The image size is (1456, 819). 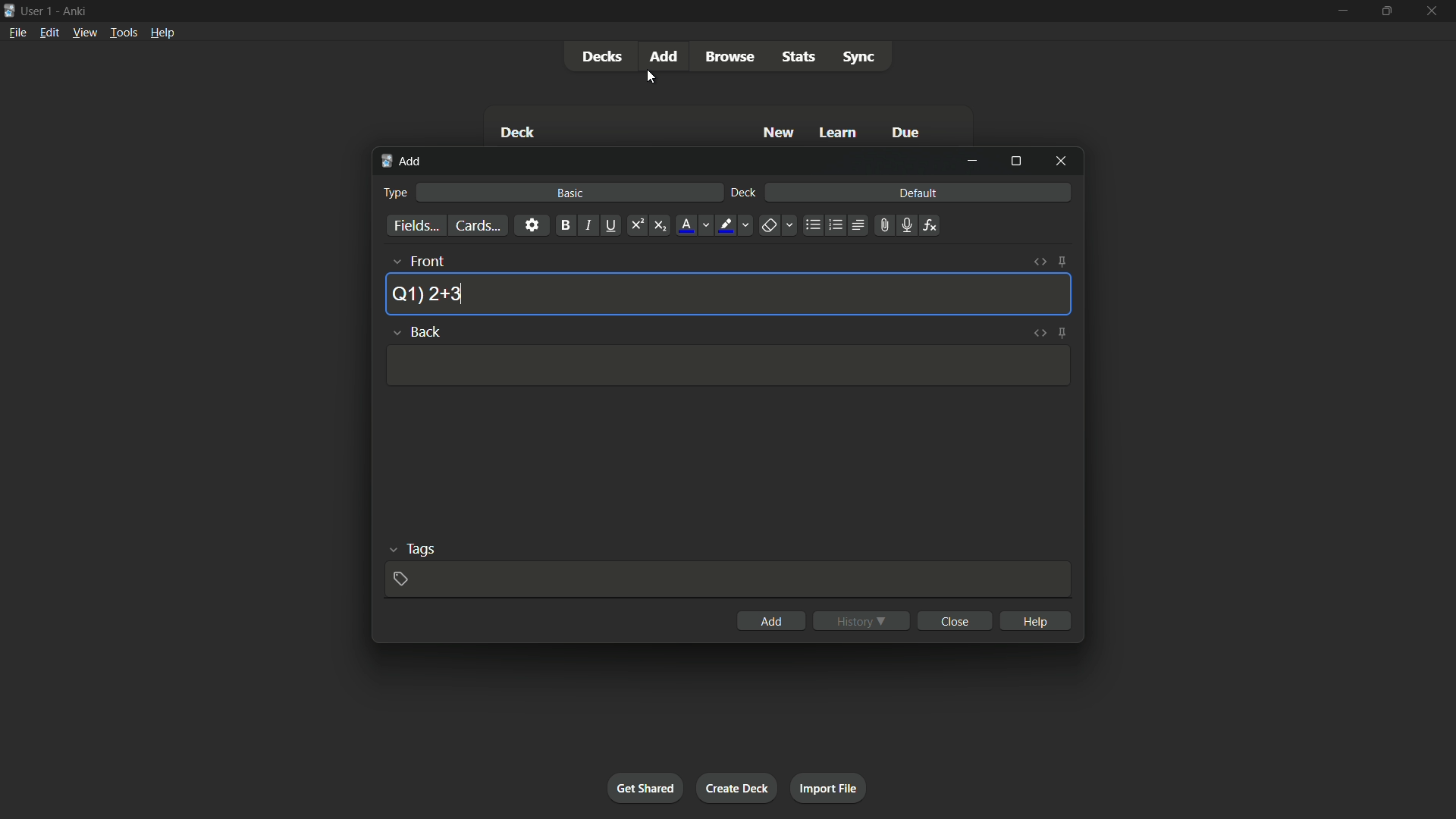 What do you see at coordinates (1063, 332) in the screenshot?
I see `toggle sticky` at bounding box center [1063, 332].